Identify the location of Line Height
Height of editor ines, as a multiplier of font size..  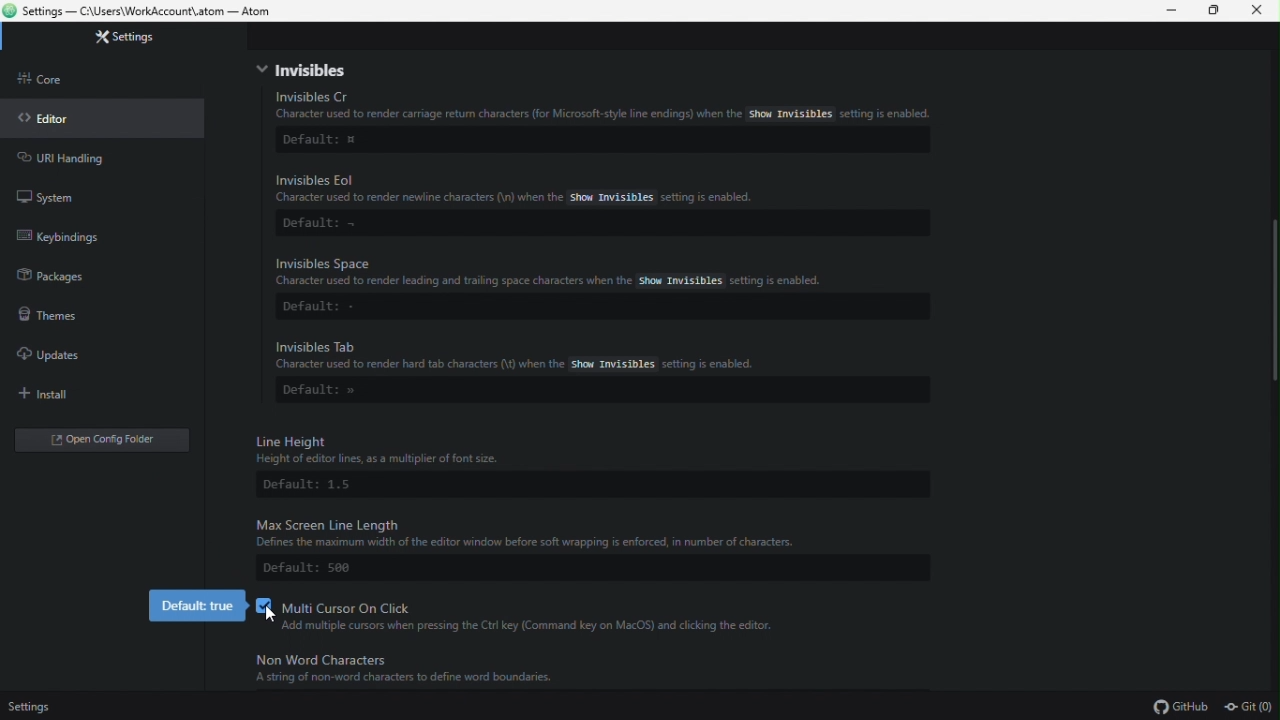
(515, 448).